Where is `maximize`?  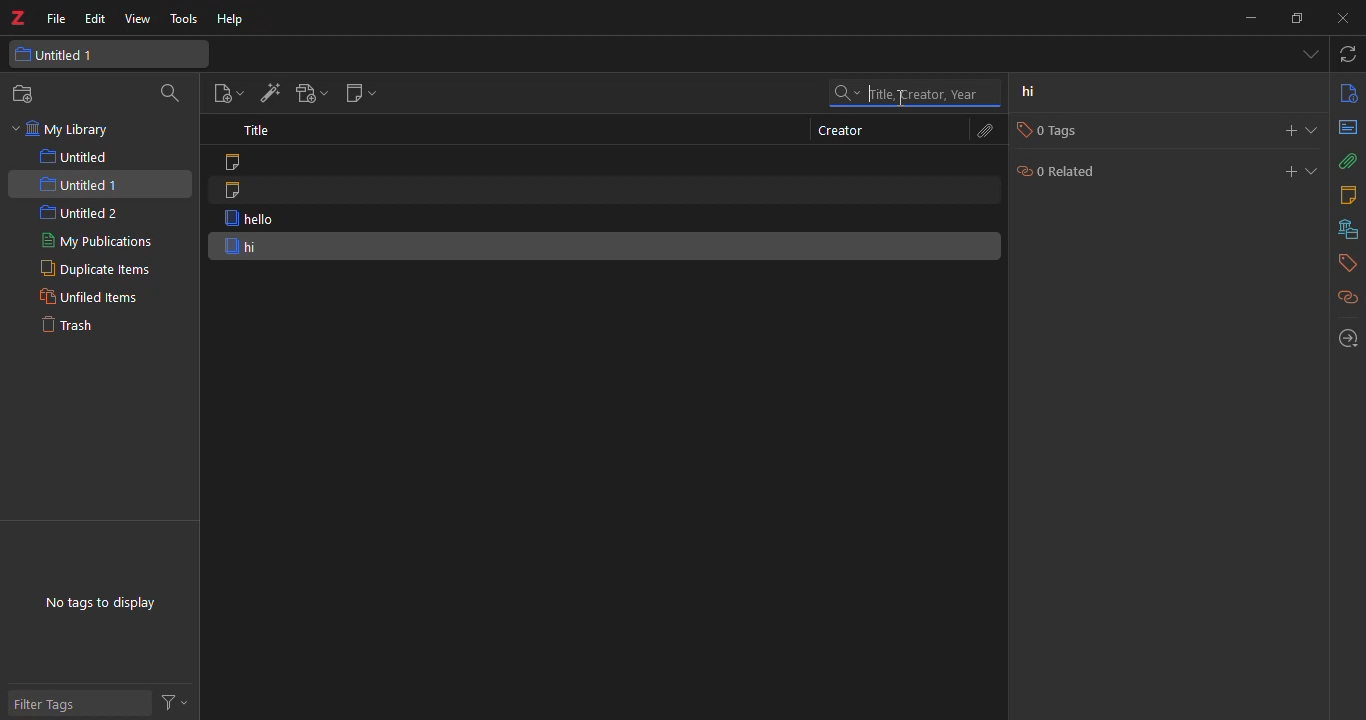 maximize is located at coordinates (1295, 20).